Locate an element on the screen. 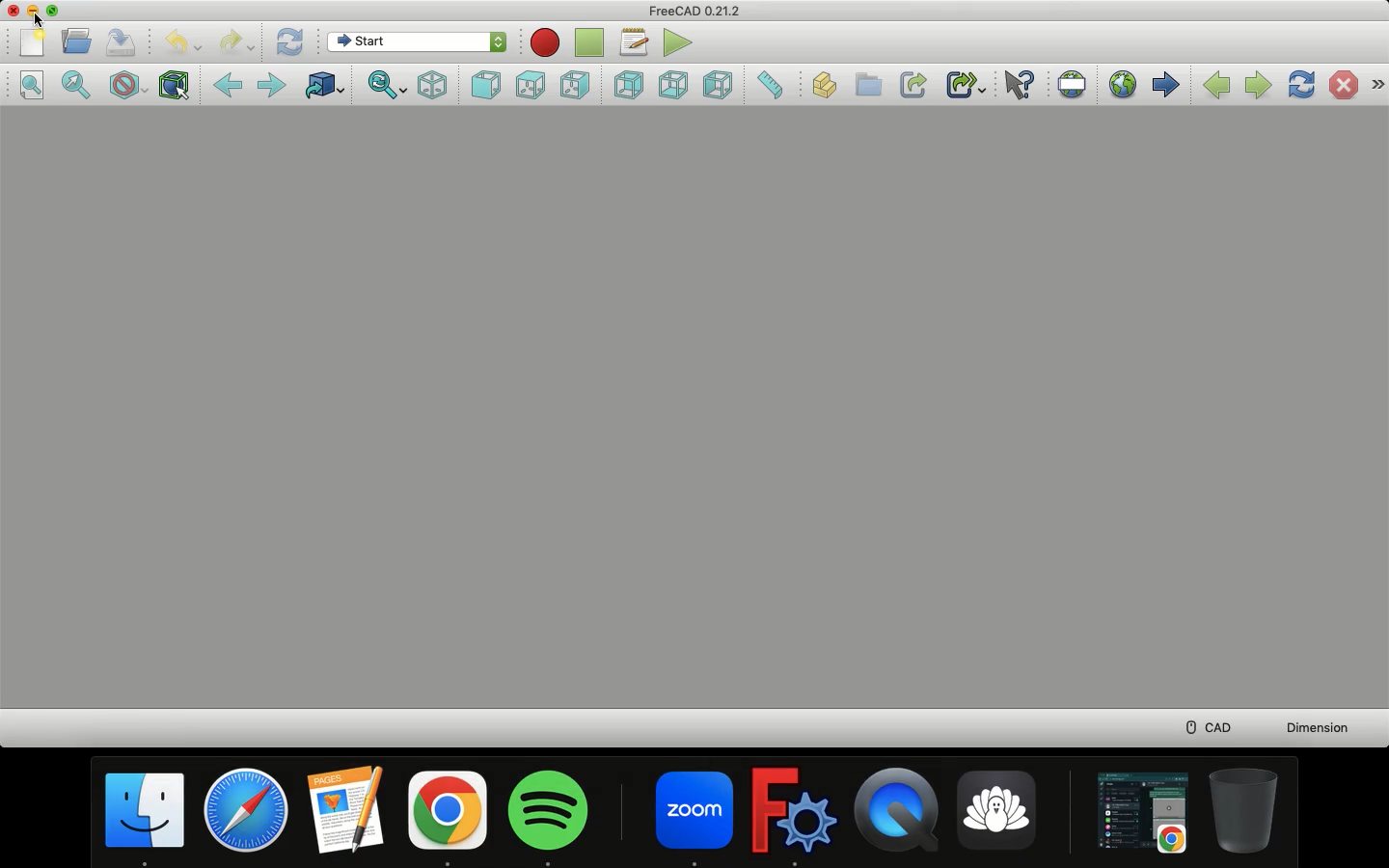  Bounding box is located at coordinates (177, 84).